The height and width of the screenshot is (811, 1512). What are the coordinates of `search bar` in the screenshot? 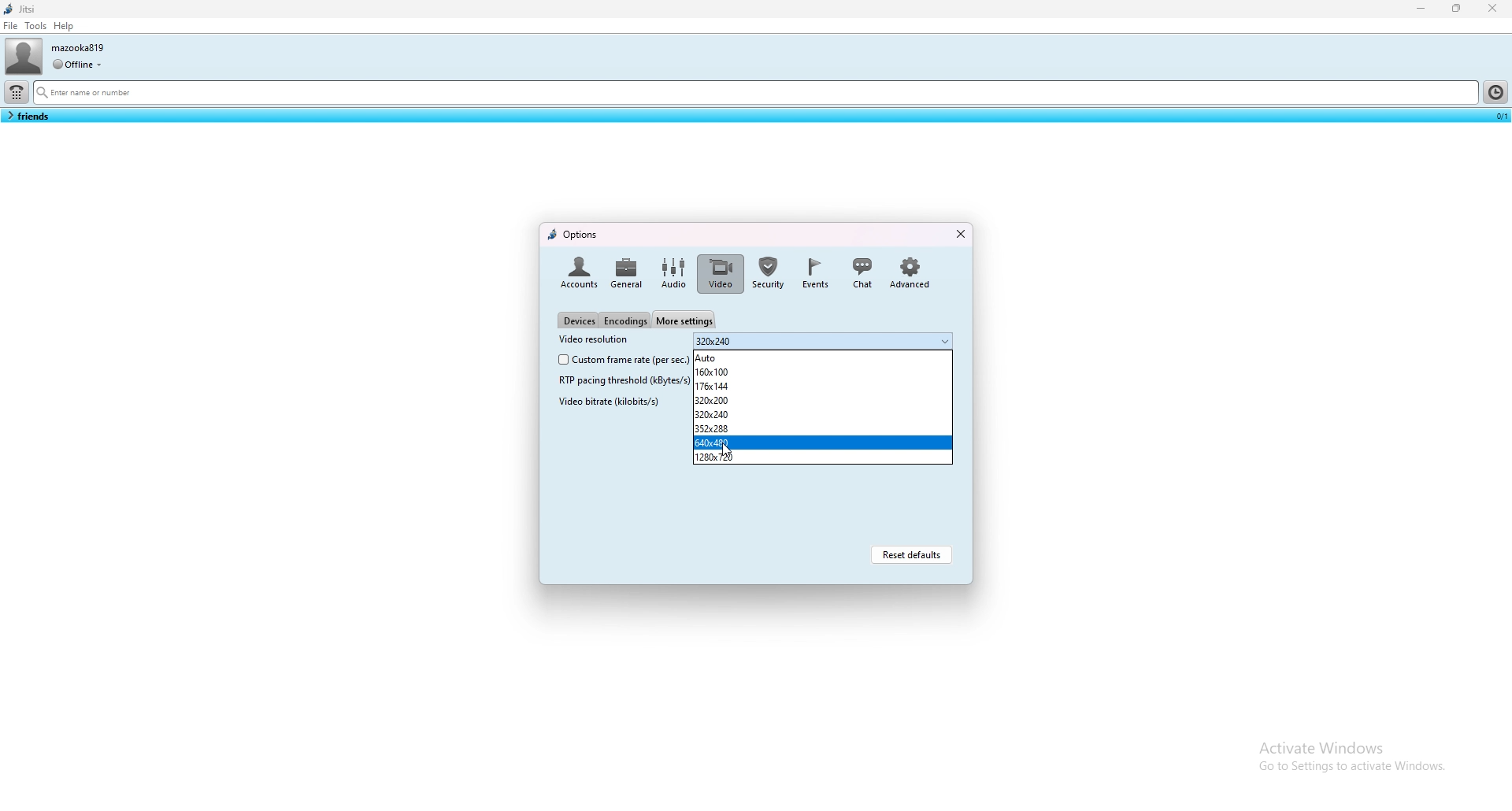 It's located at (754, 94).